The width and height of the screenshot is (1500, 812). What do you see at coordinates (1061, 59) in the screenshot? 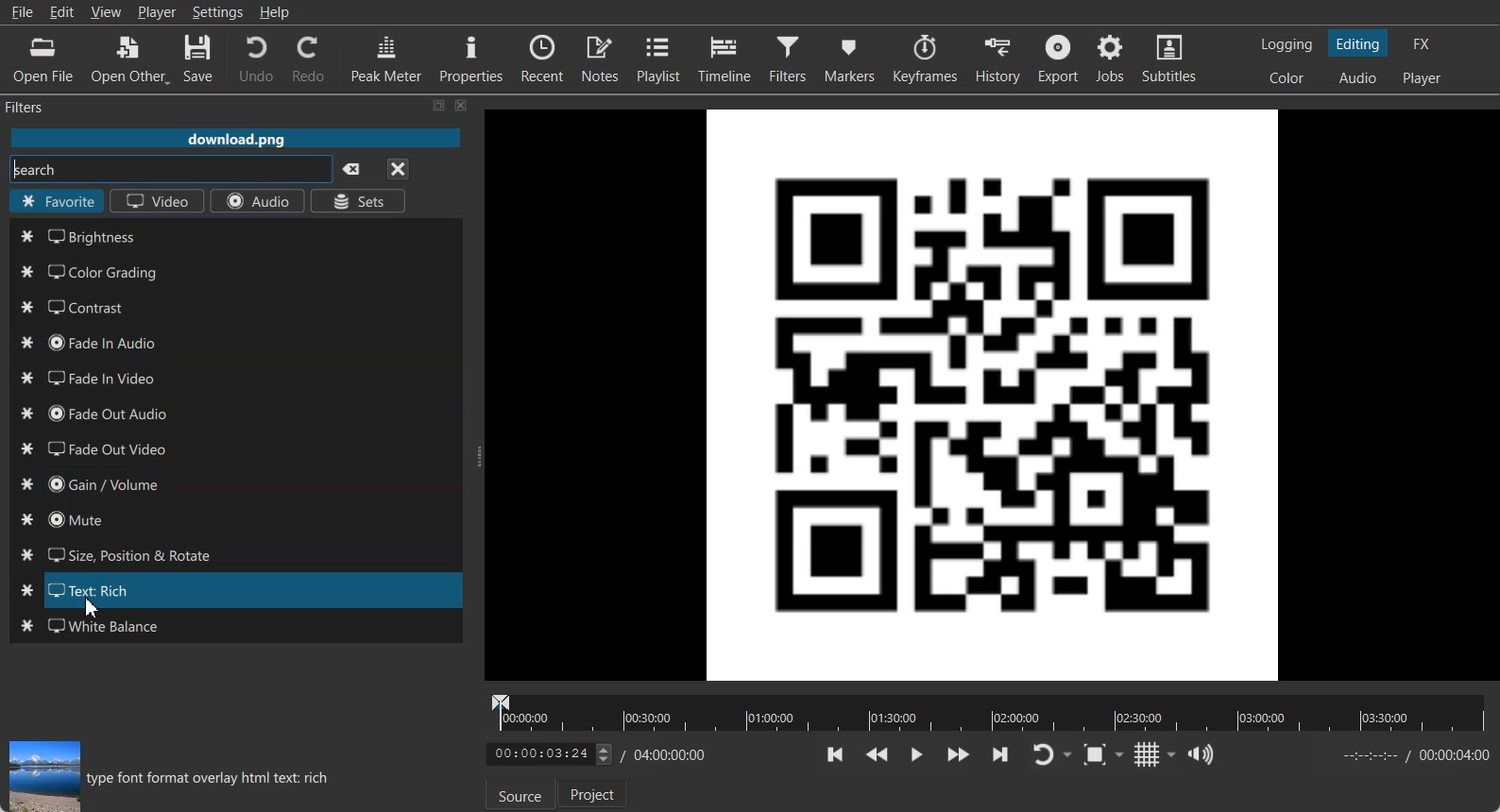
I see `Export` at bounding box center [1061, 59].